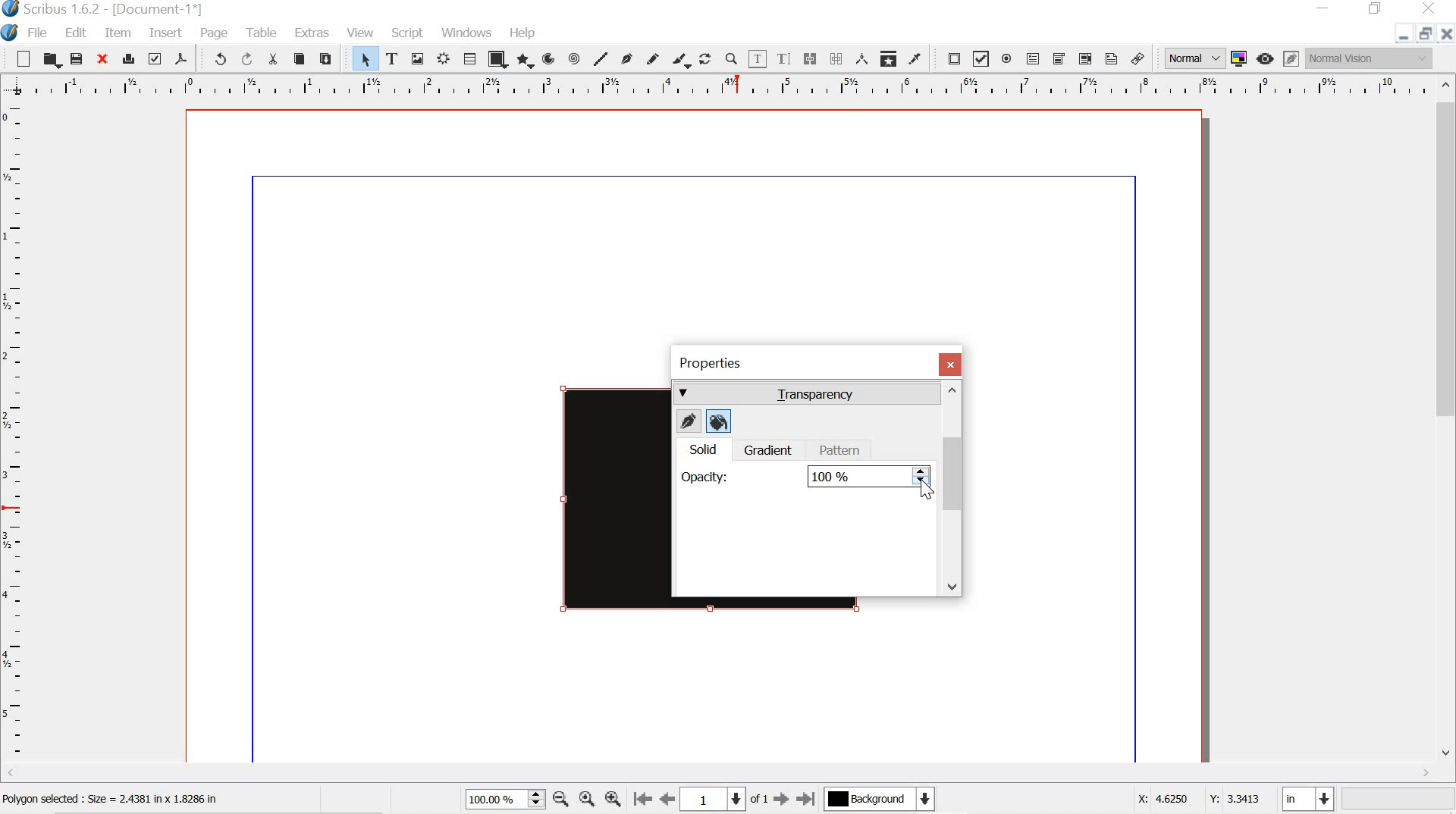 This screenshot has height=814, width=1456. What do you see at coordinates (101, 58) in the screenshot?
I see `close` at bounding box center [101, 58].